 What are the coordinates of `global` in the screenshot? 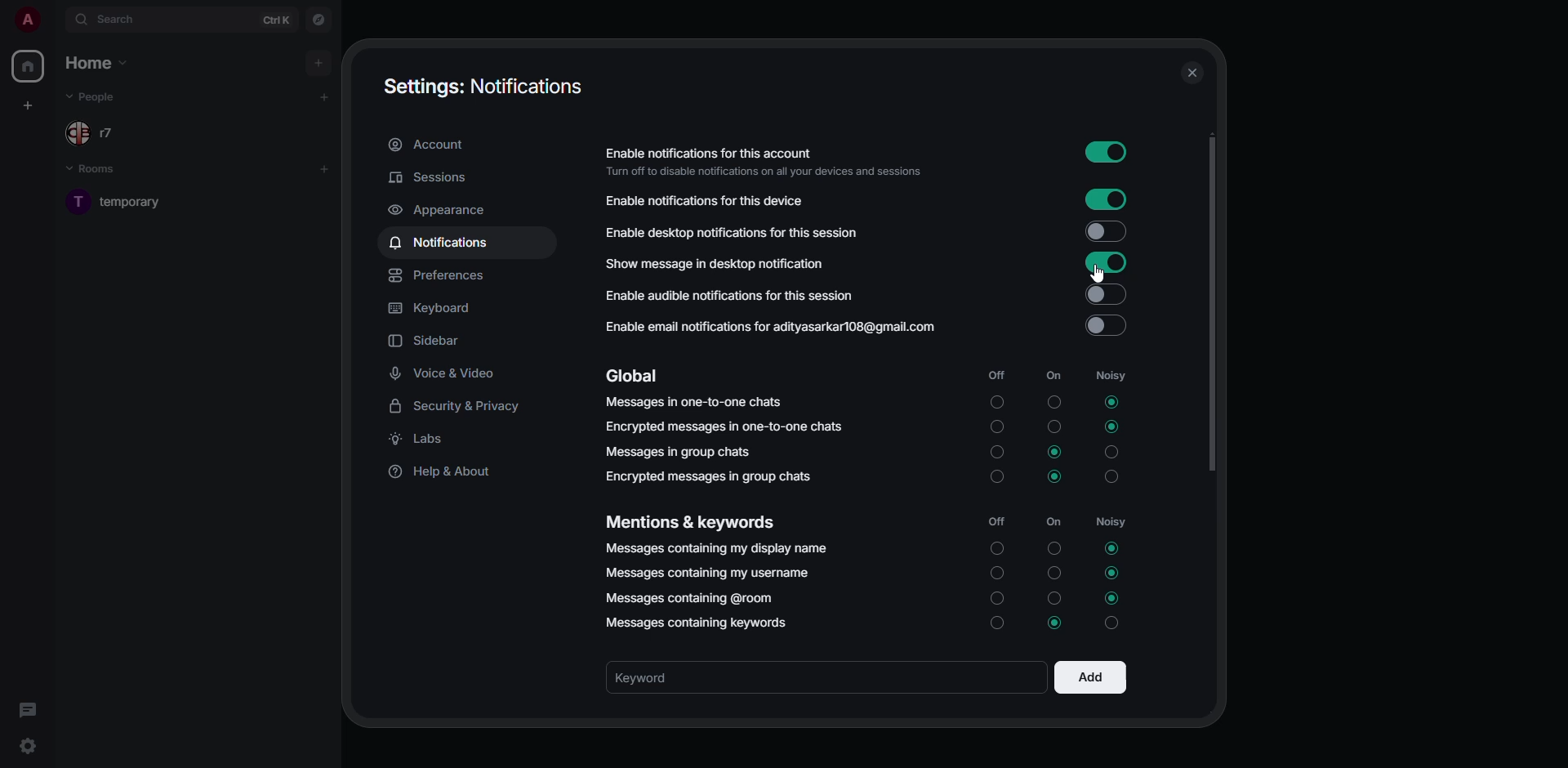 It's located at (635, 376).